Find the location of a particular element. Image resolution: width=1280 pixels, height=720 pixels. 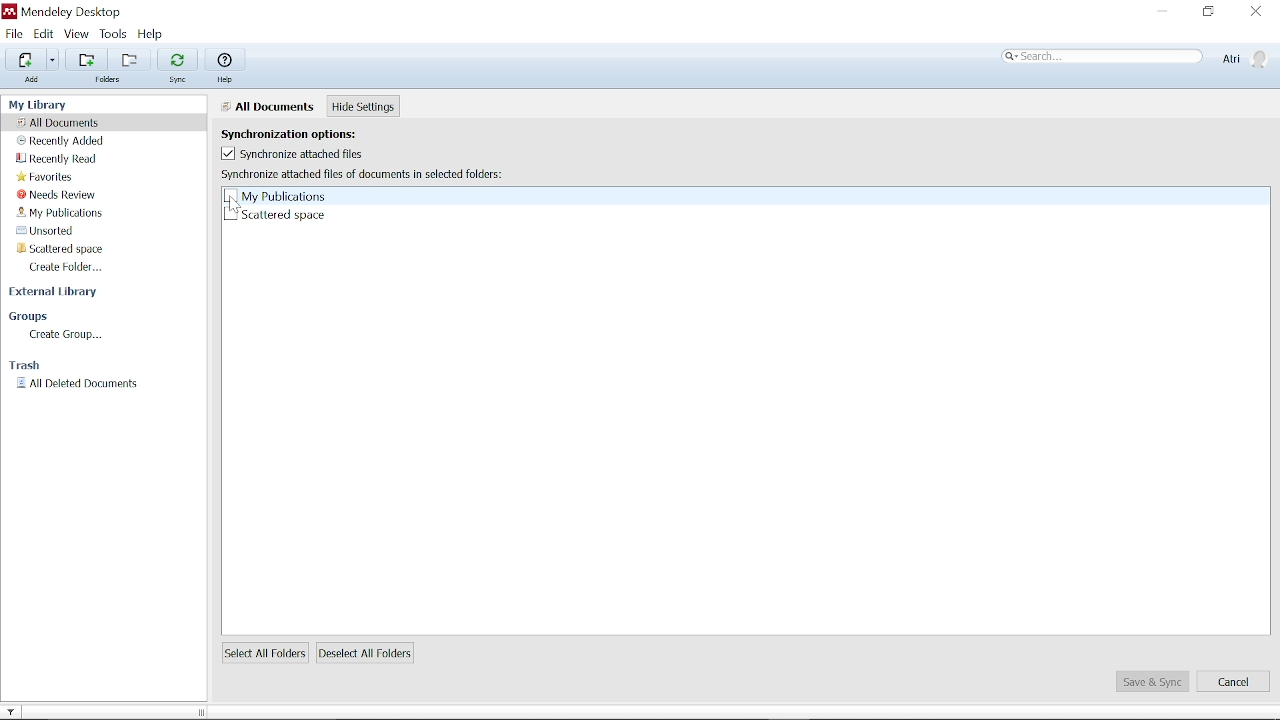

cursor is located at coordinates (235, 204).